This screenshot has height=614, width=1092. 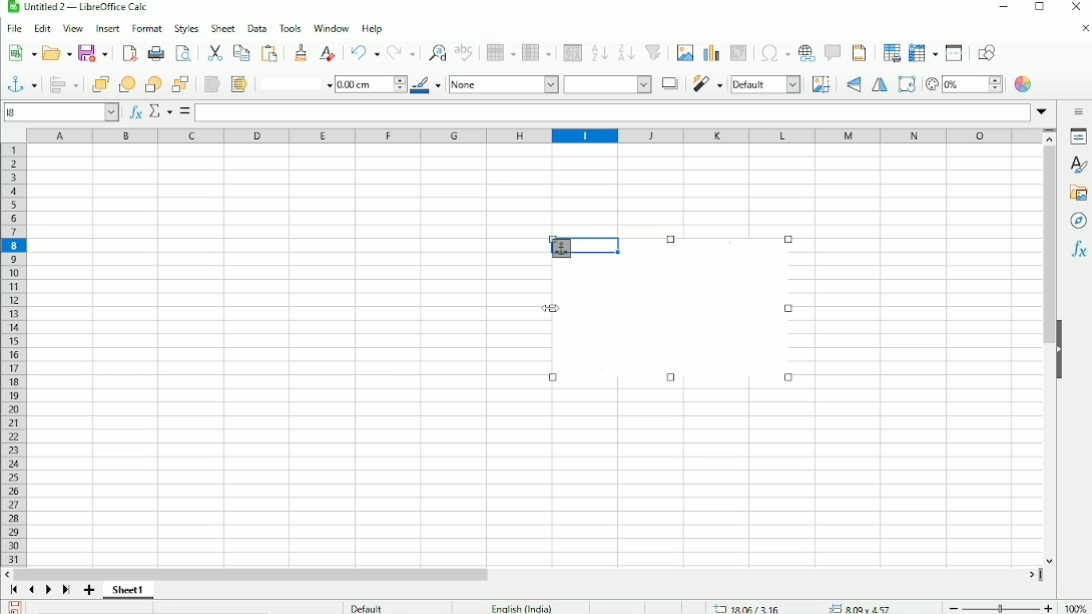 I want to click on Add sheet, so click(x=90, y=590).